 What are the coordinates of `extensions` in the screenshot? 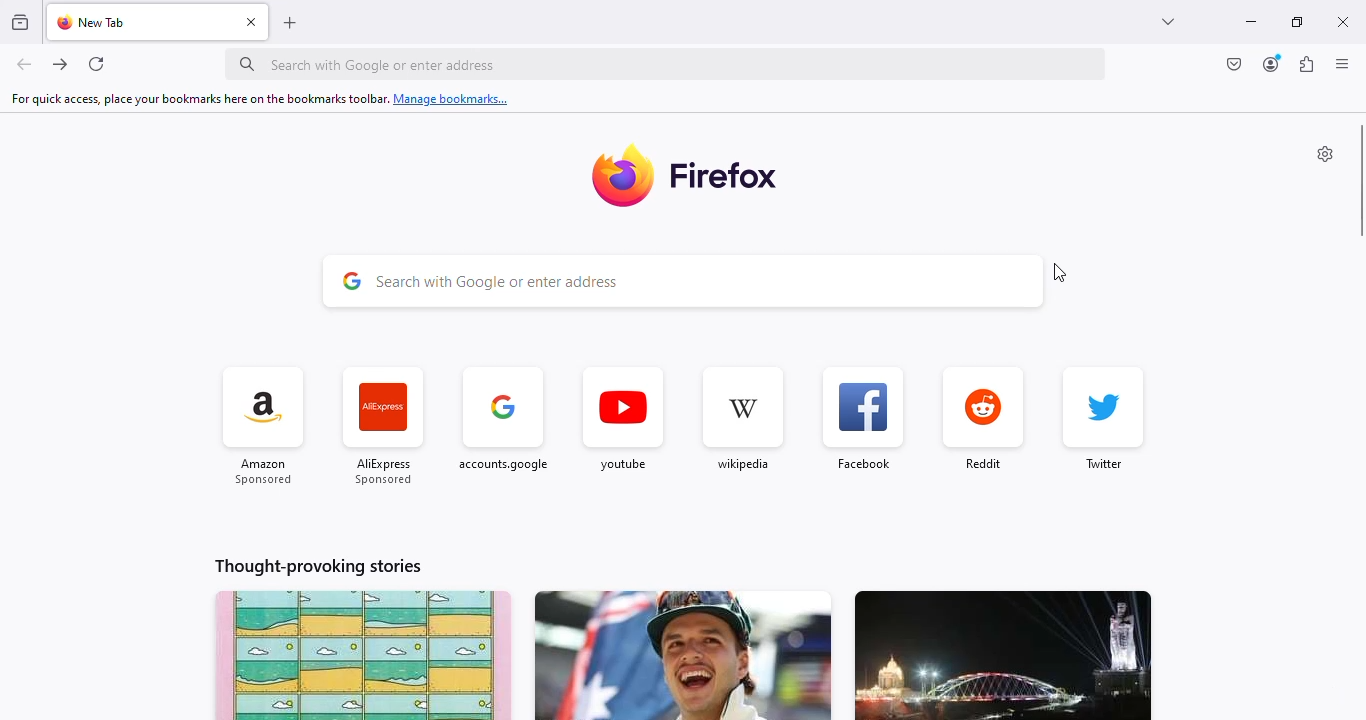 It's located at (1306, 63).